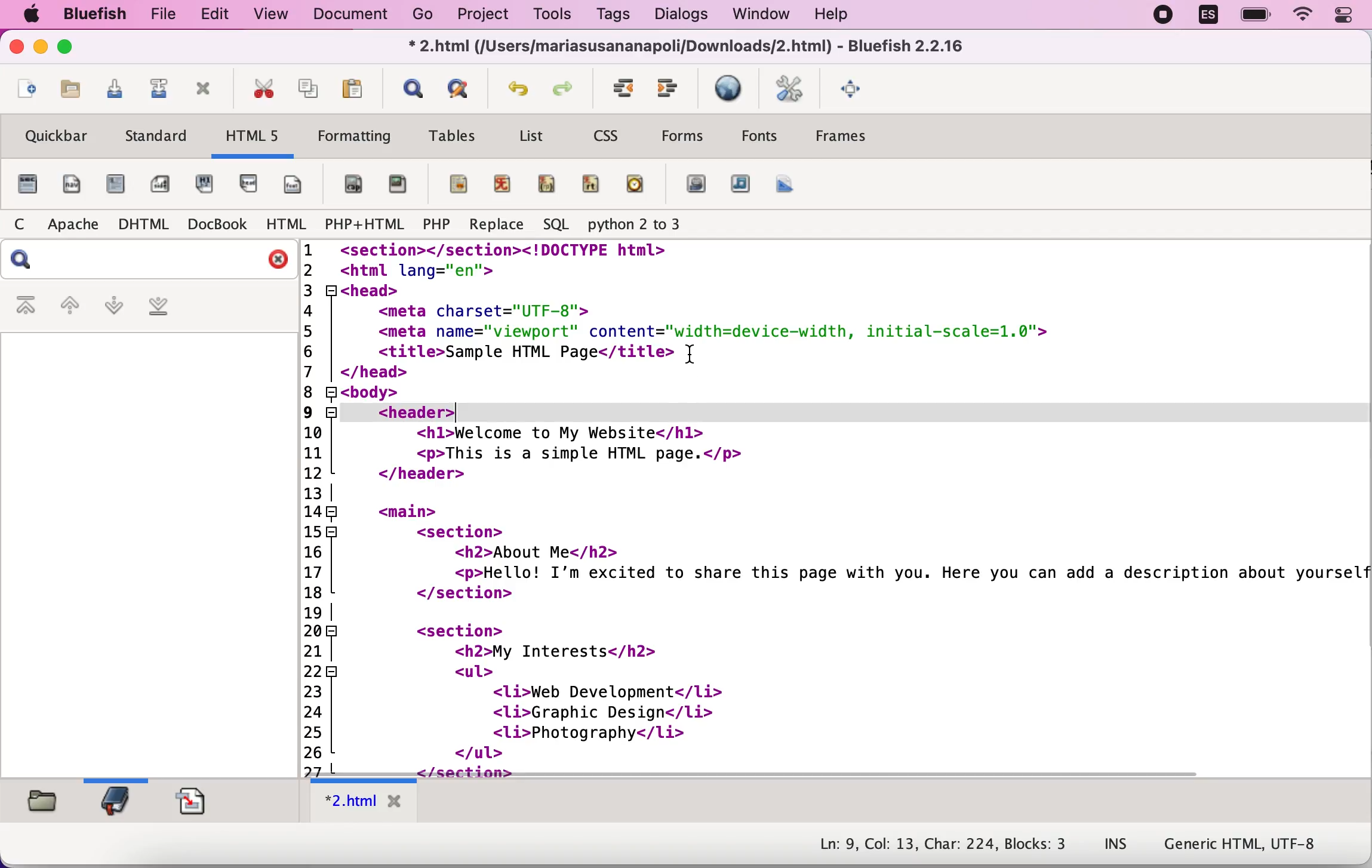 The height and width of the screenshot is (868, 1372). I want to click on bookmarks, so click(120, 805).